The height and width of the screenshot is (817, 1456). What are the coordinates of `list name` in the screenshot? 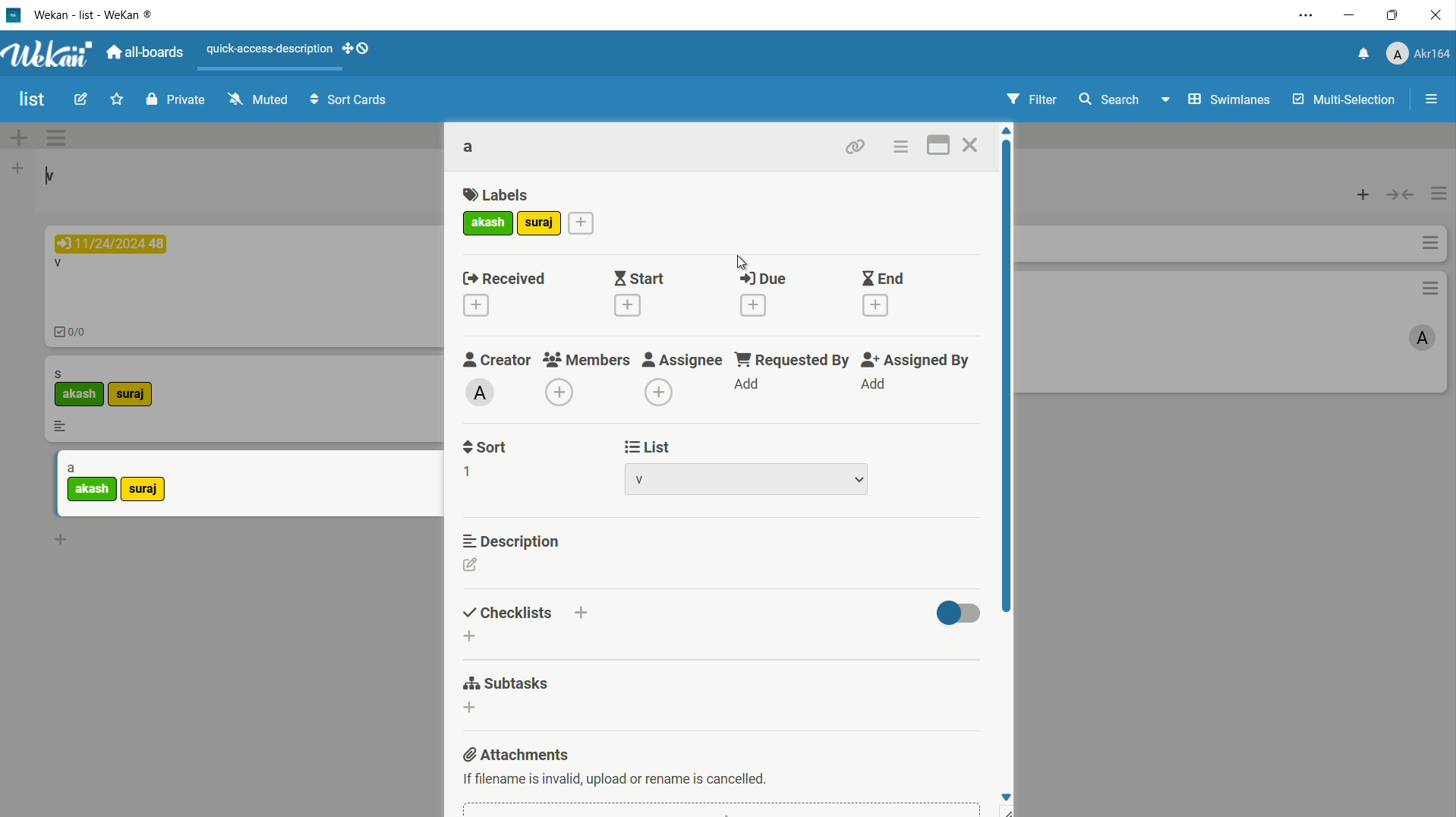 It's located at (639, 477).